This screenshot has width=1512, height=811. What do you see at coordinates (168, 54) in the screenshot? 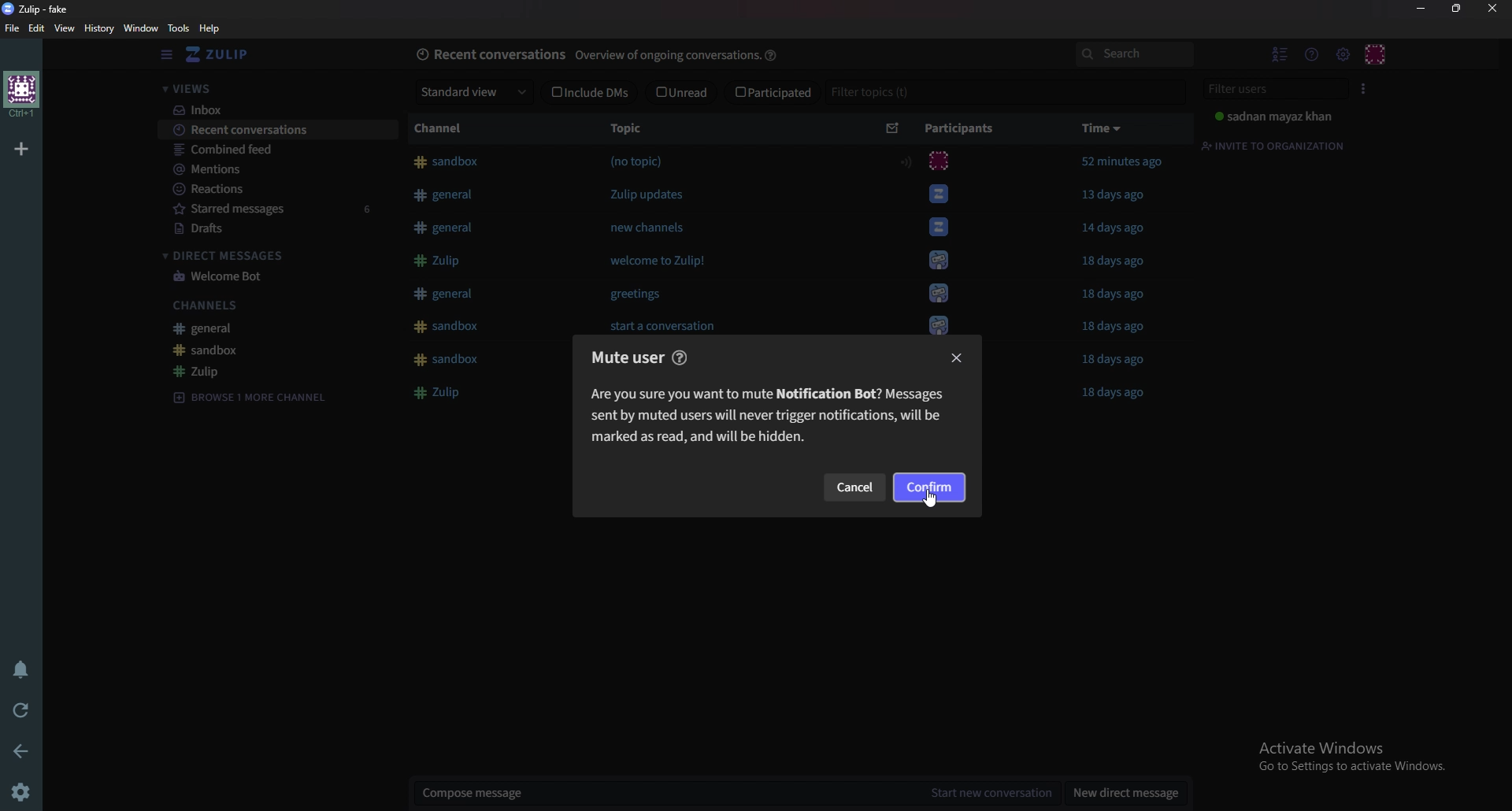
I see `Hide sidebar` at bounding box center [168, 54].